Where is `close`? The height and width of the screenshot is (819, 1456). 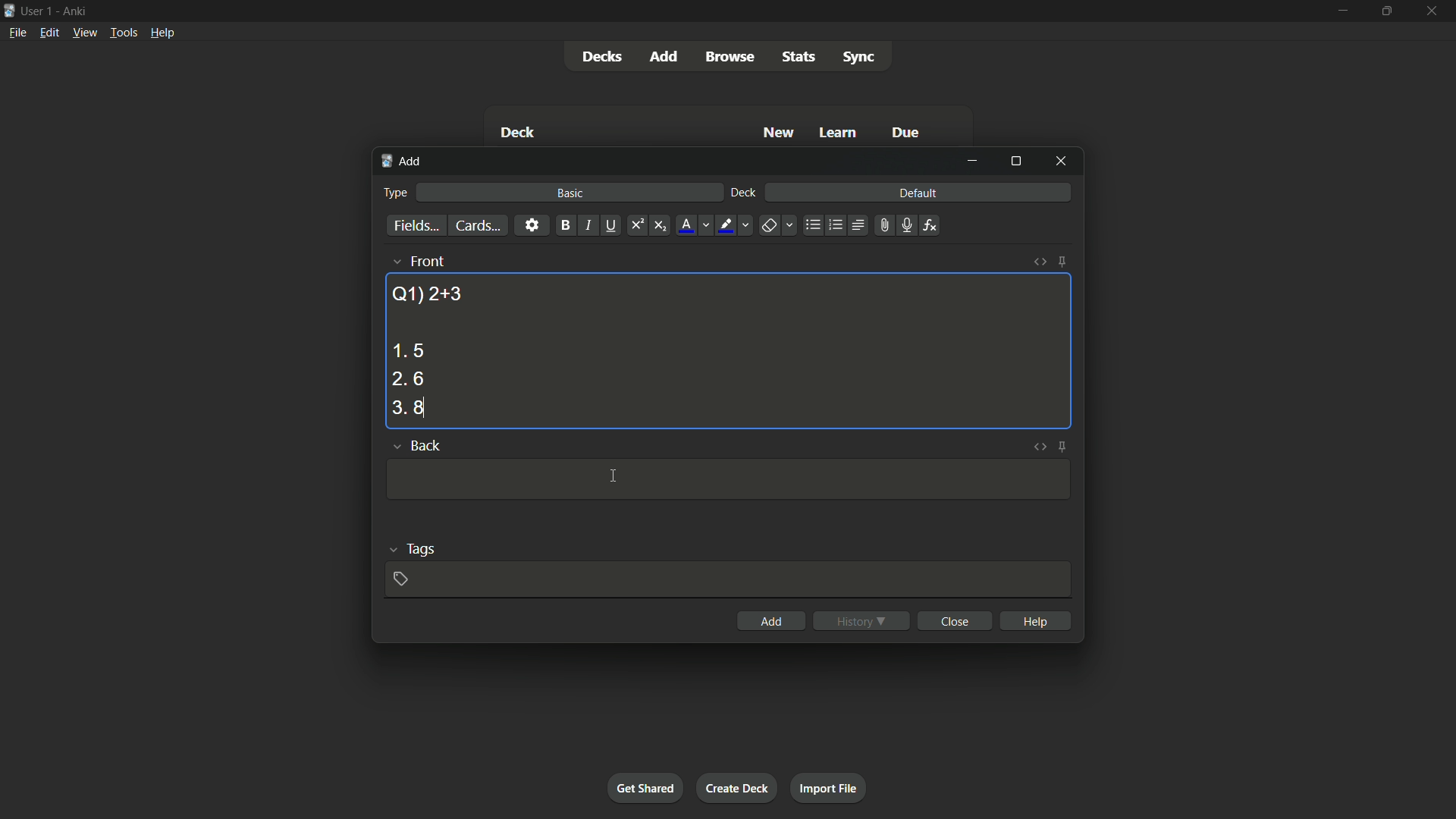
close is located at coordinates (957, 620).